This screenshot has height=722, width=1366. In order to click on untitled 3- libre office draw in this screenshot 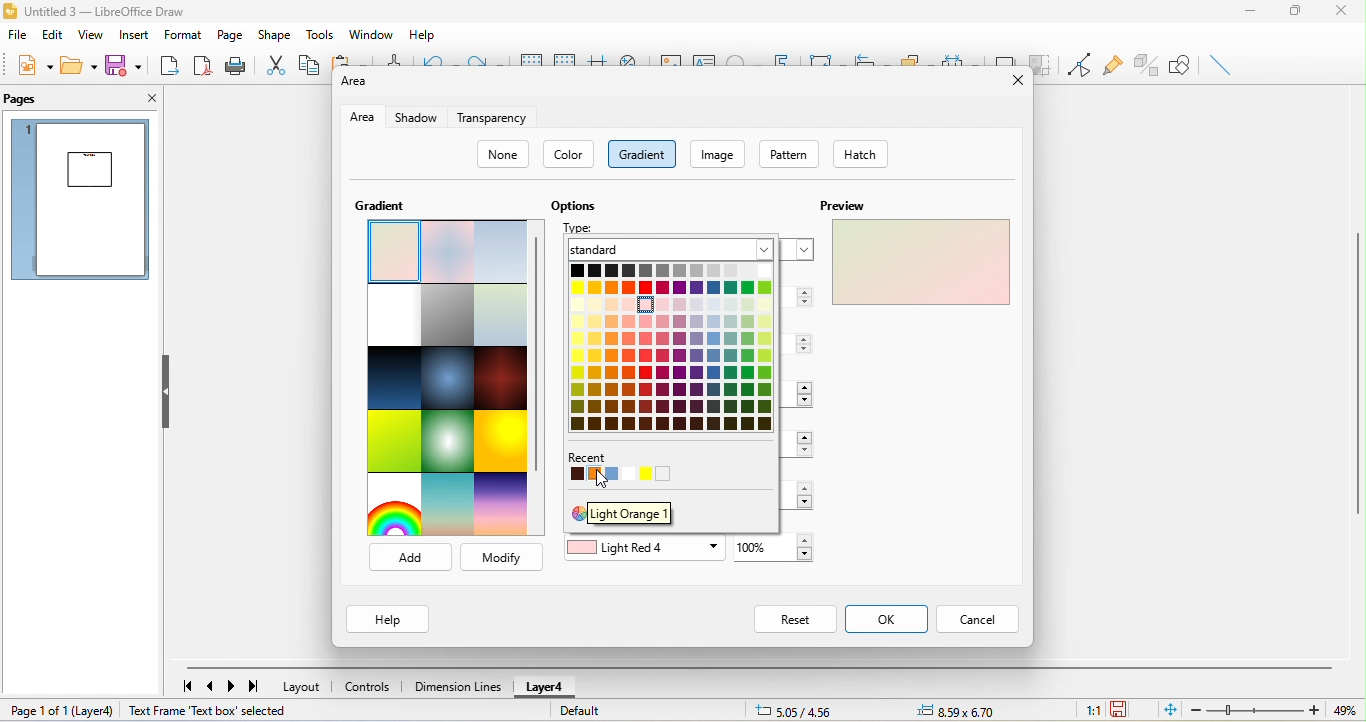, I will do `click(111, 10)`.